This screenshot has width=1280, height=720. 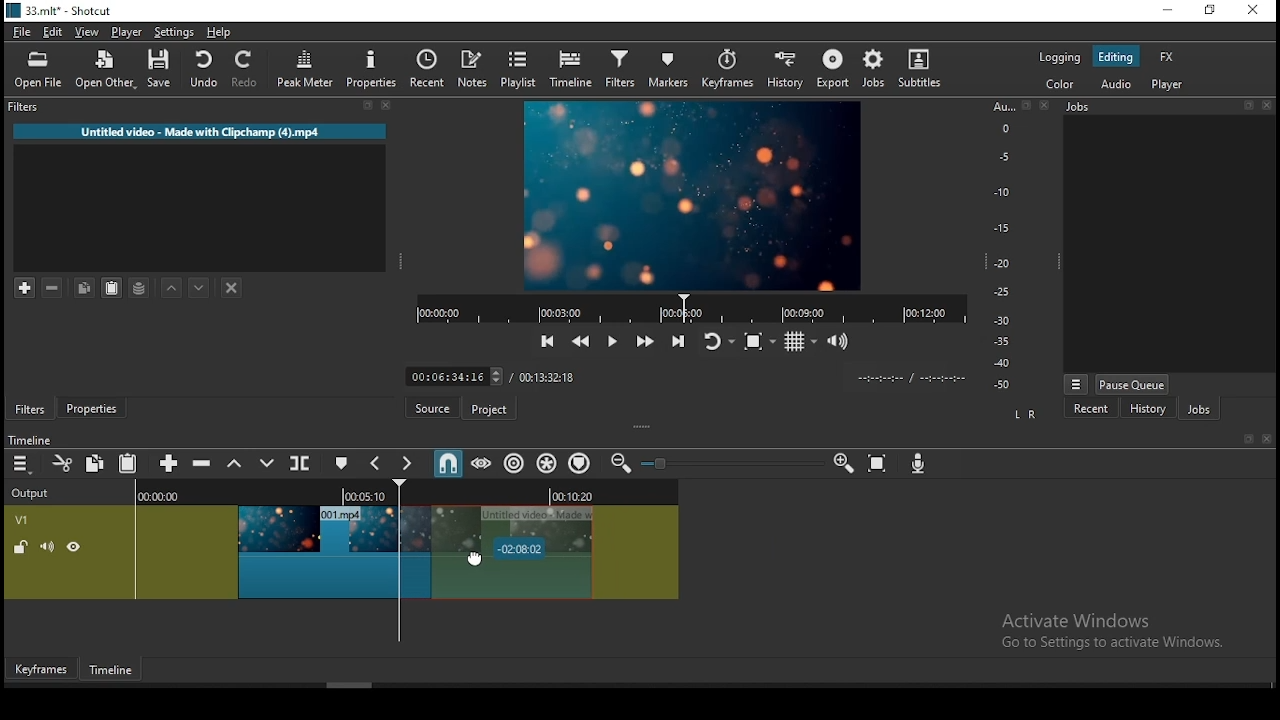 What do you see at coordinates (1060, 57) in the screenshot?
I see `color` at bounding box center [1060, 57].